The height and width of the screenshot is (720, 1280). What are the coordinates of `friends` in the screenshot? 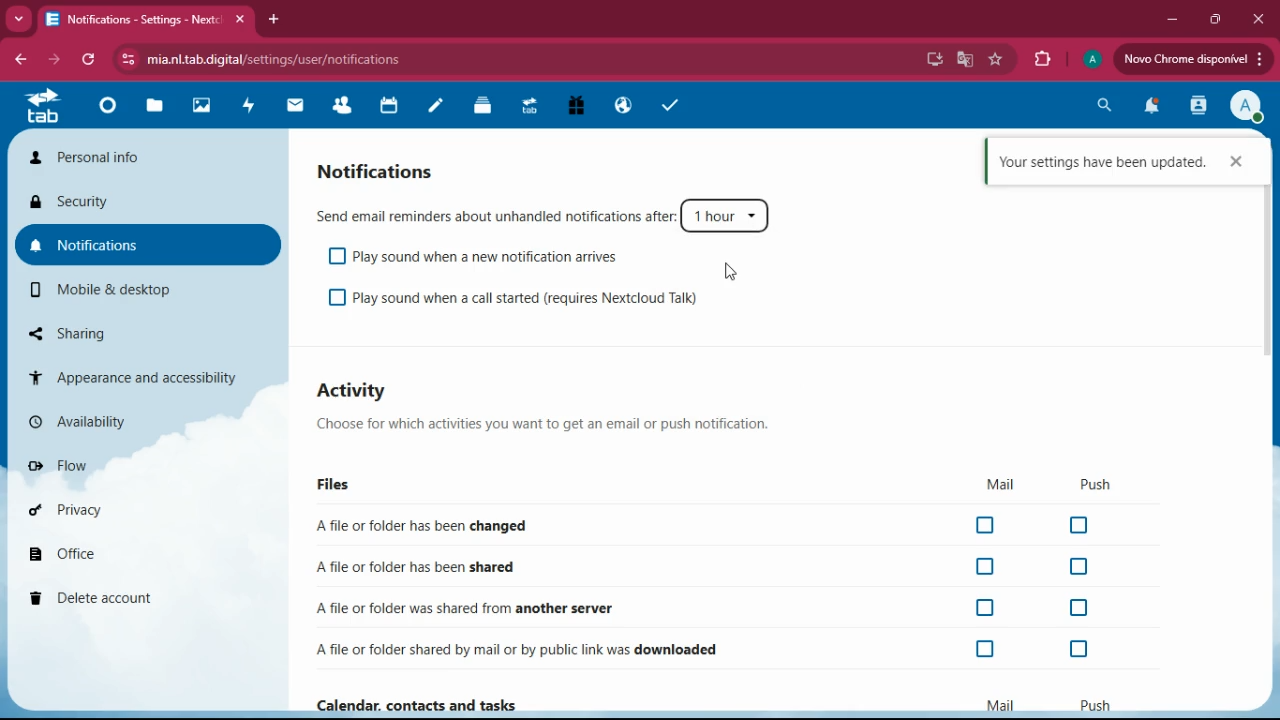 It's located at (346, 107).